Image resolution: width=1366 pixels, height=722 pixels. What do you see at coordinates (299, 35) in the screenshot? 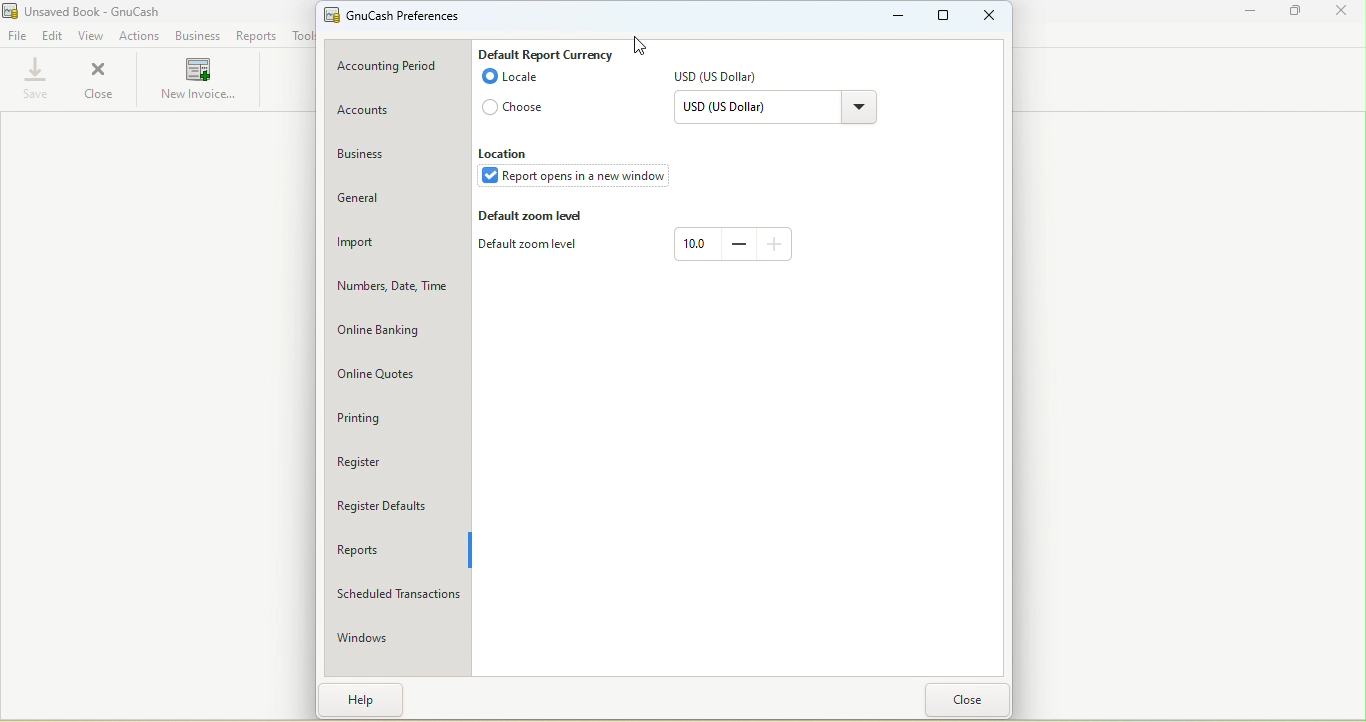
I see `Tools` at bounding box center [299, 35].